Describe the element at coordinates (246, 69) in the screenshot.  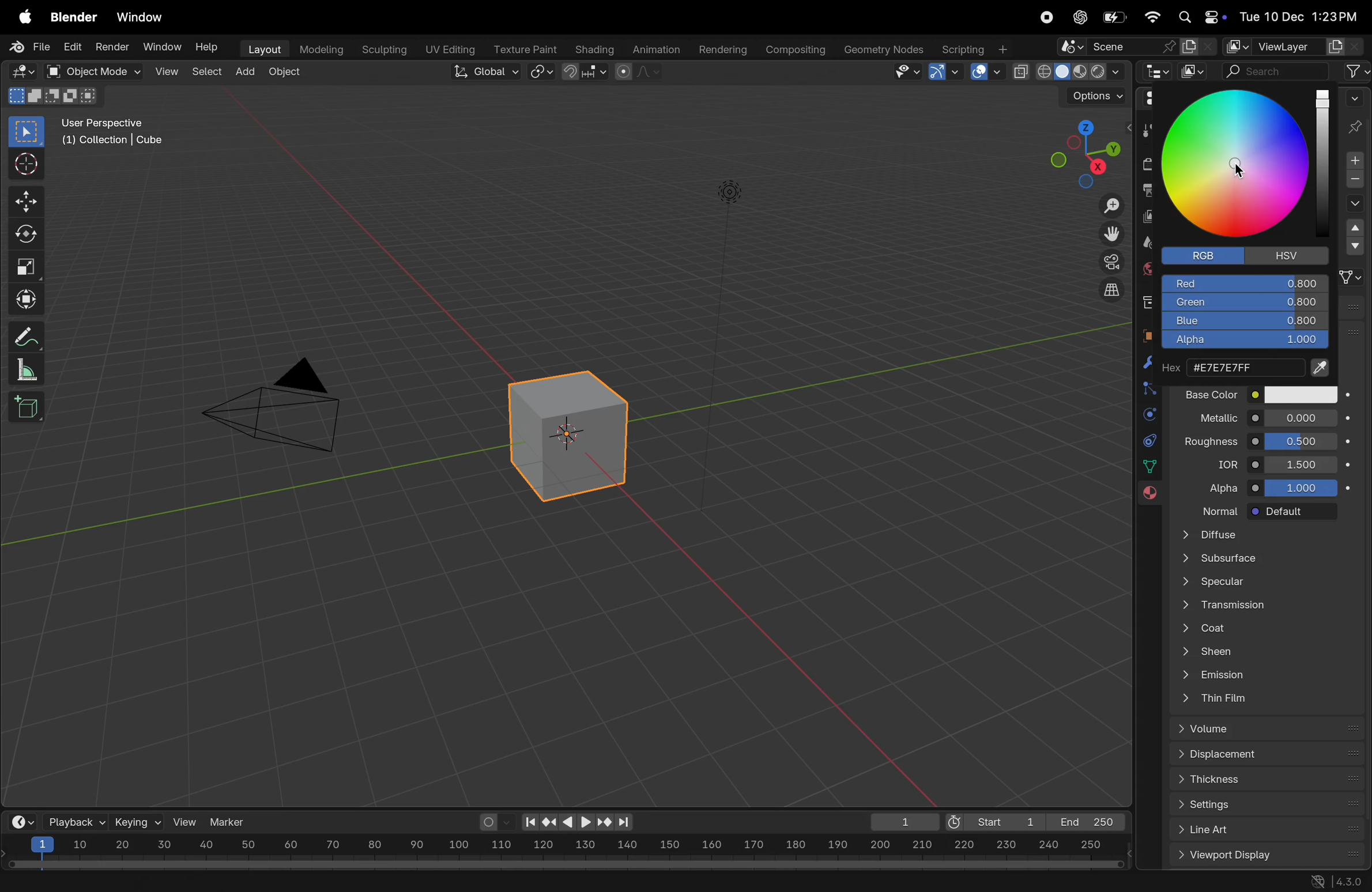
I see `add` at that location.